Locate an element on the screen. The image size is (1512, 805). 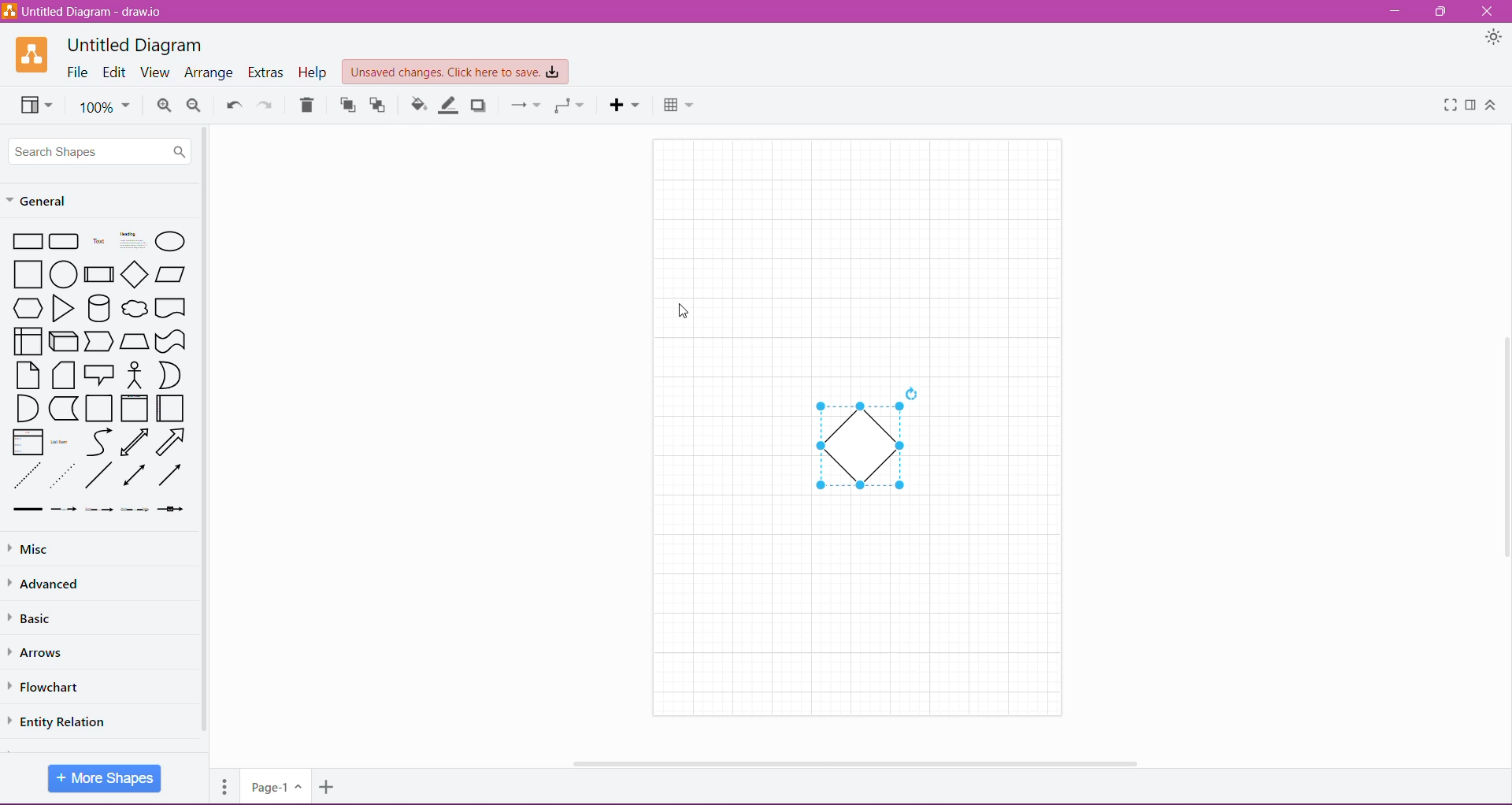
Redo is located at coordinates (269, 105).